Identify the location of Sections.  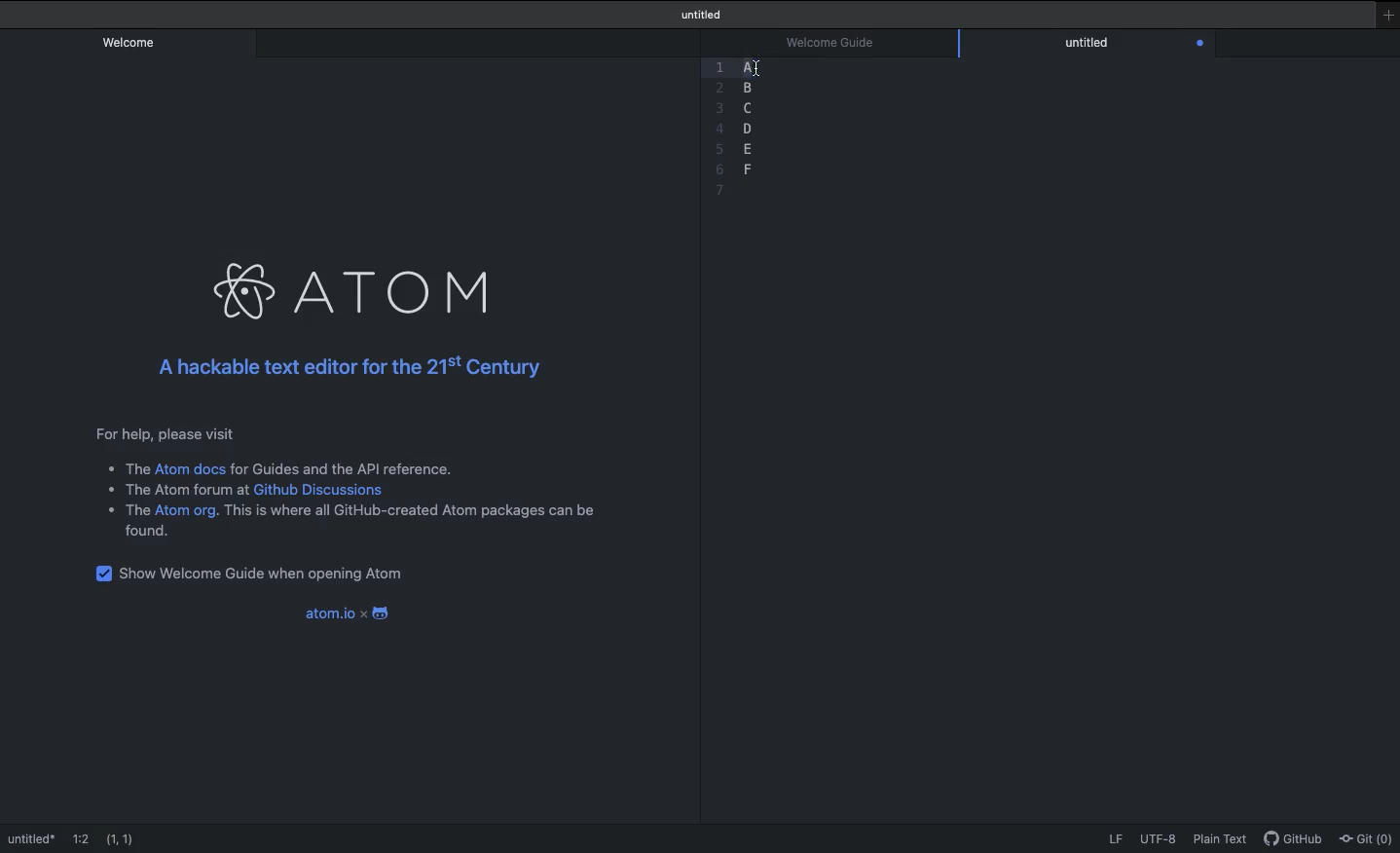
(751, 68).